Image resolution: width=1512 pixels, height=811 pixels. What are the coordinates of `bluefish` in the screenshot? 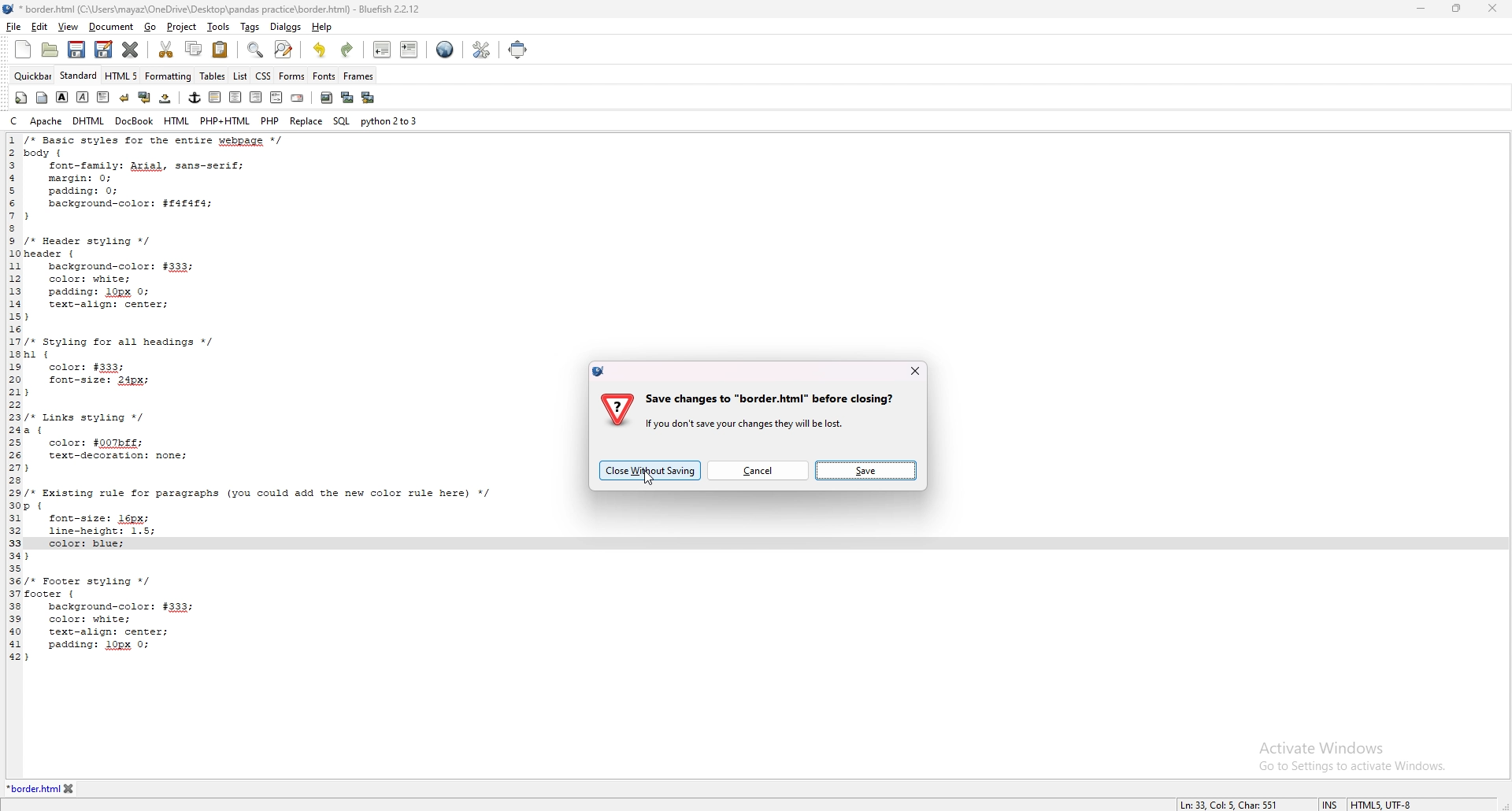 It's located at (602, 371).